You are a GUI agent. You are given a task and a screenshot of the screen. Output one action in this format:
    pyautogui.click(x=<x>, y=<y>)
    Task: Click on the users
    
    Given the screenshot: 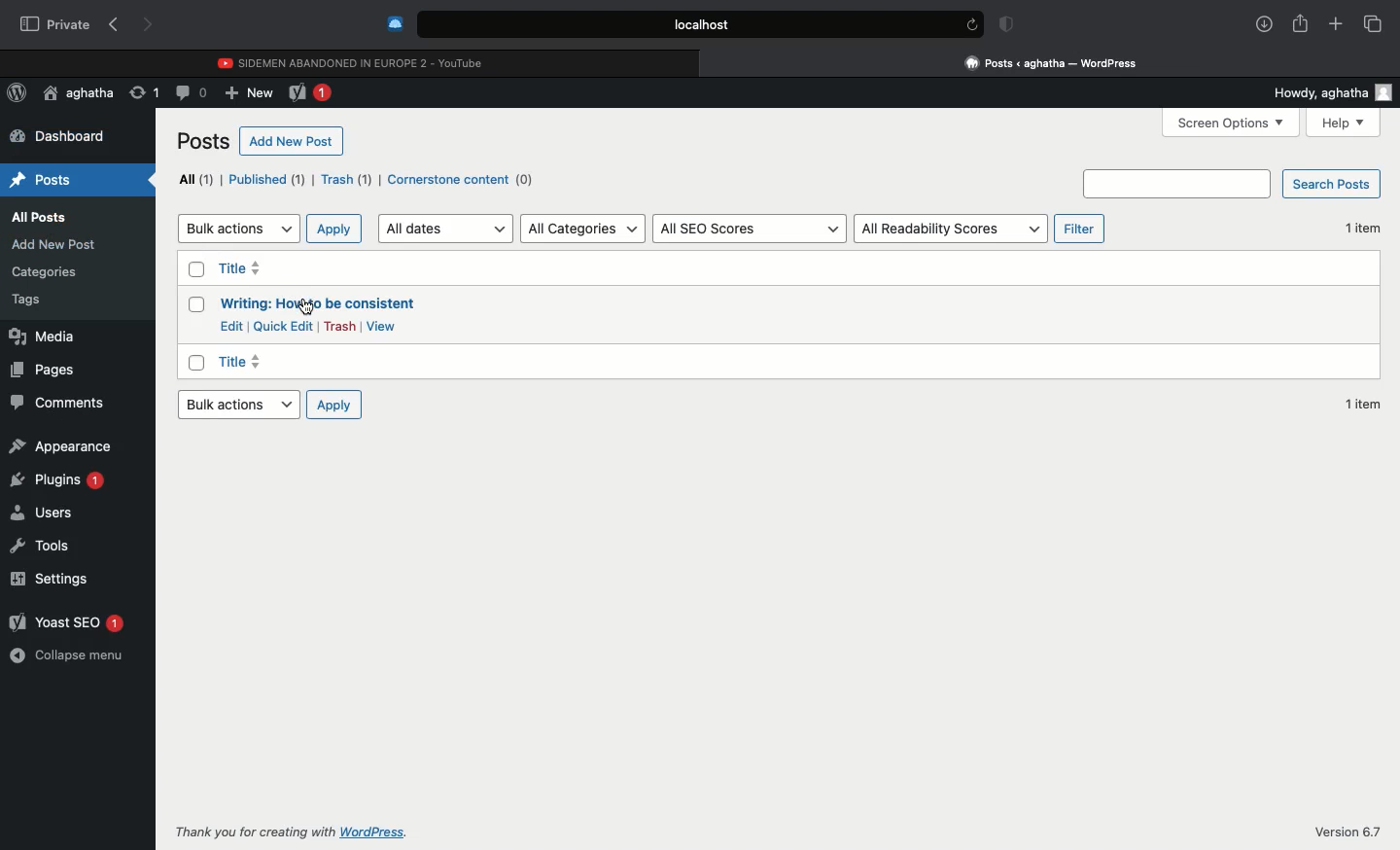 What is the action you would take?
    pyautogui.click(x=51, y=514)
    